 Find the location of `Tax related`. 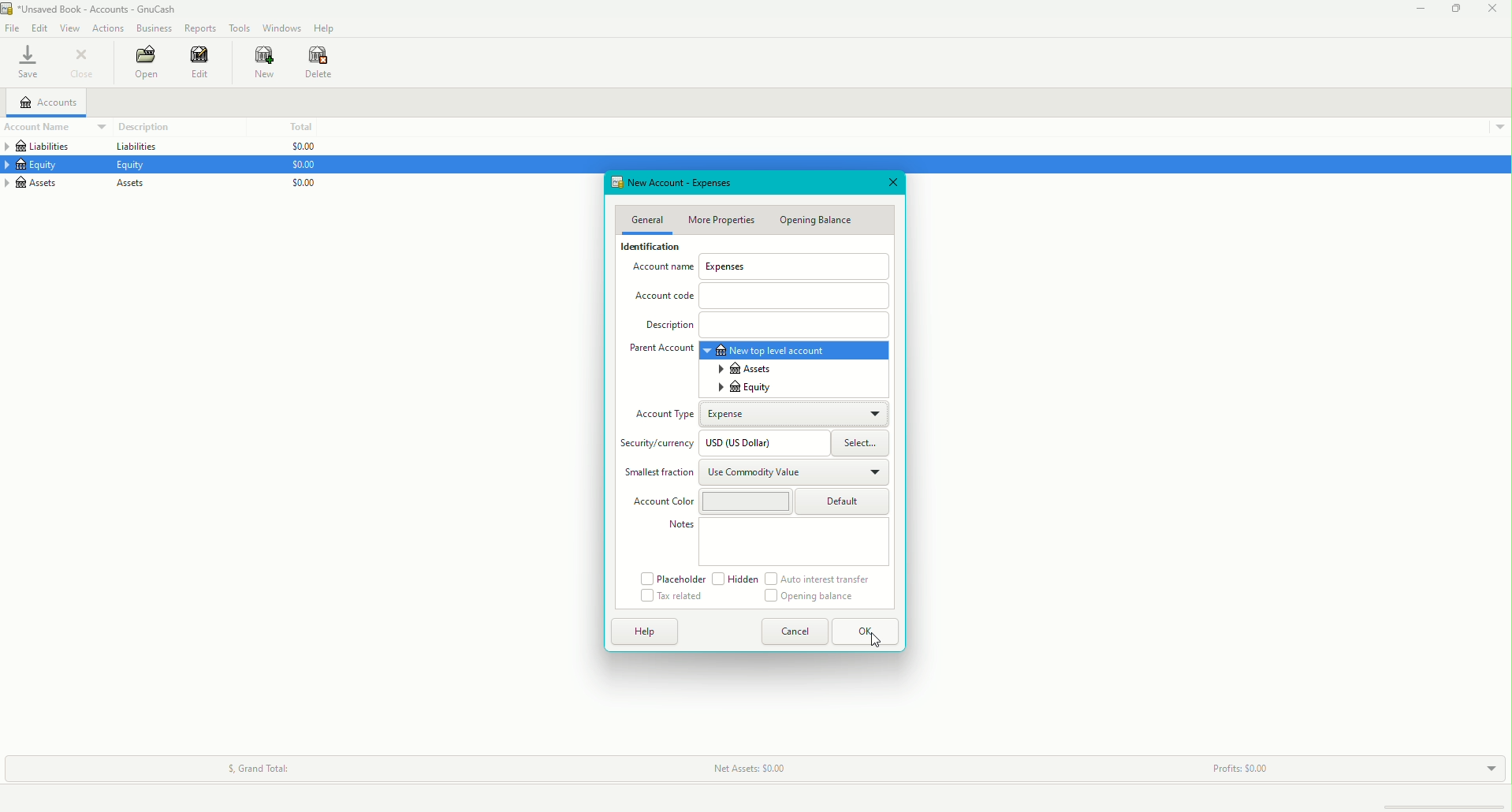

Tax related is located at coordinates (672, 597).